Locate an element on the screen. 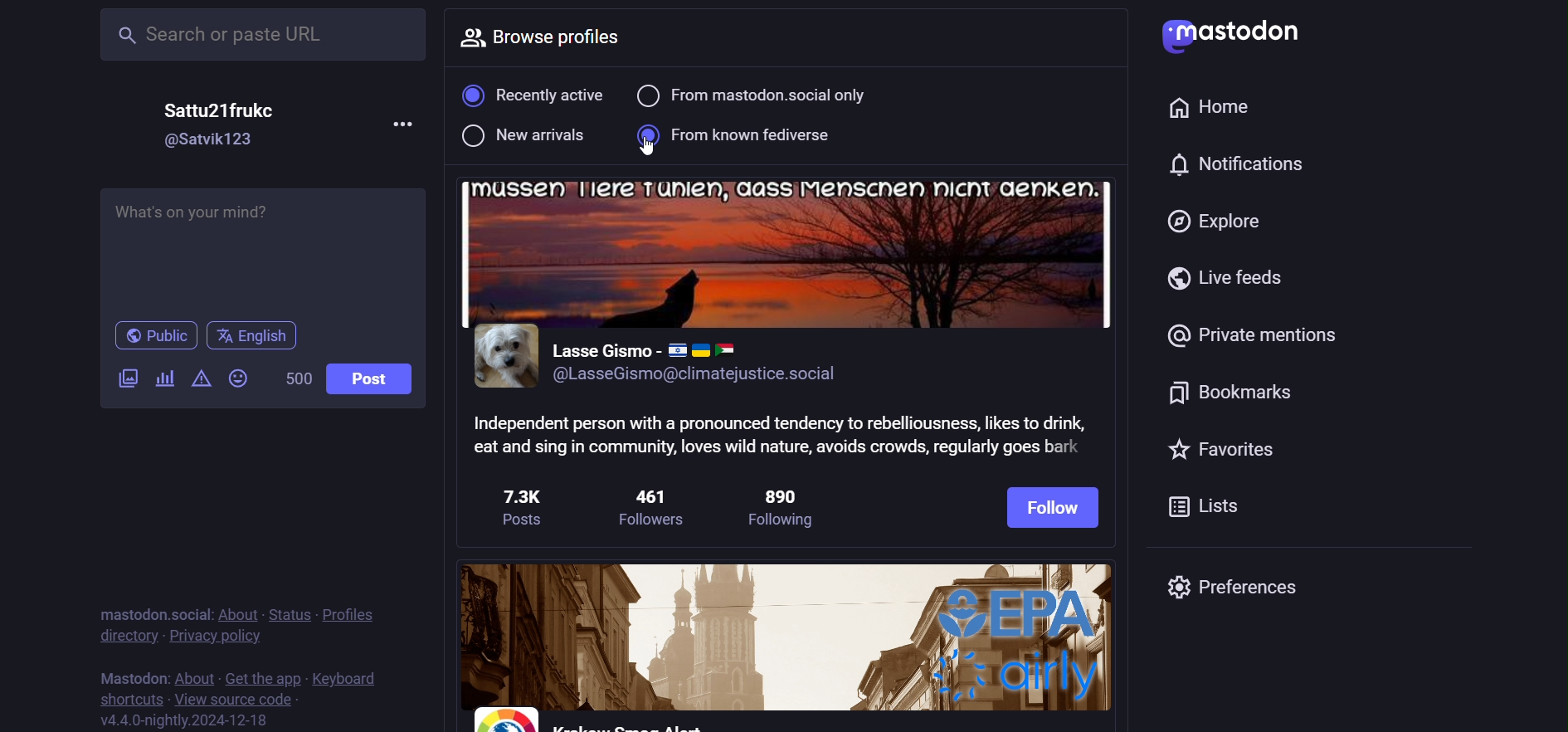 The height and width of the screenshot is (732, 1568). mastodon is located at coordinates (1244, 35).